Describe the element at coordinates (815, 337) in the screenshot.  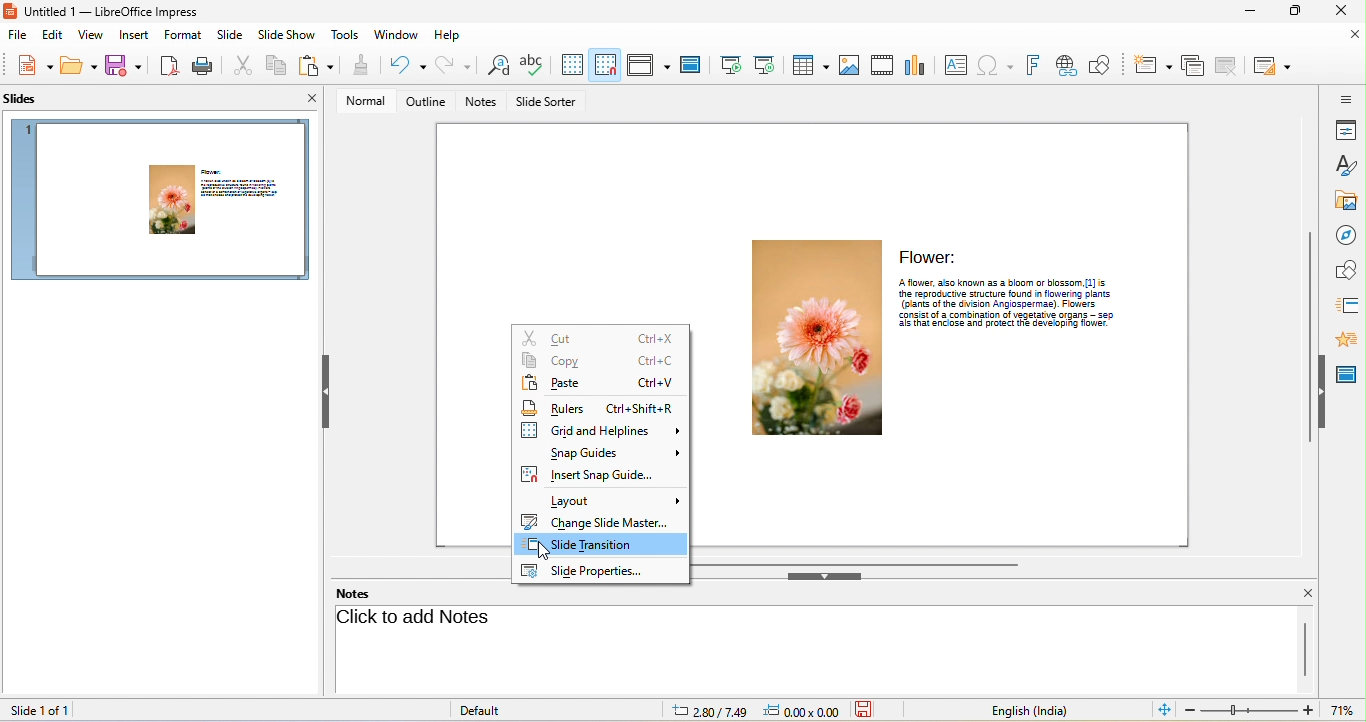
I see `image of flower` at that location.